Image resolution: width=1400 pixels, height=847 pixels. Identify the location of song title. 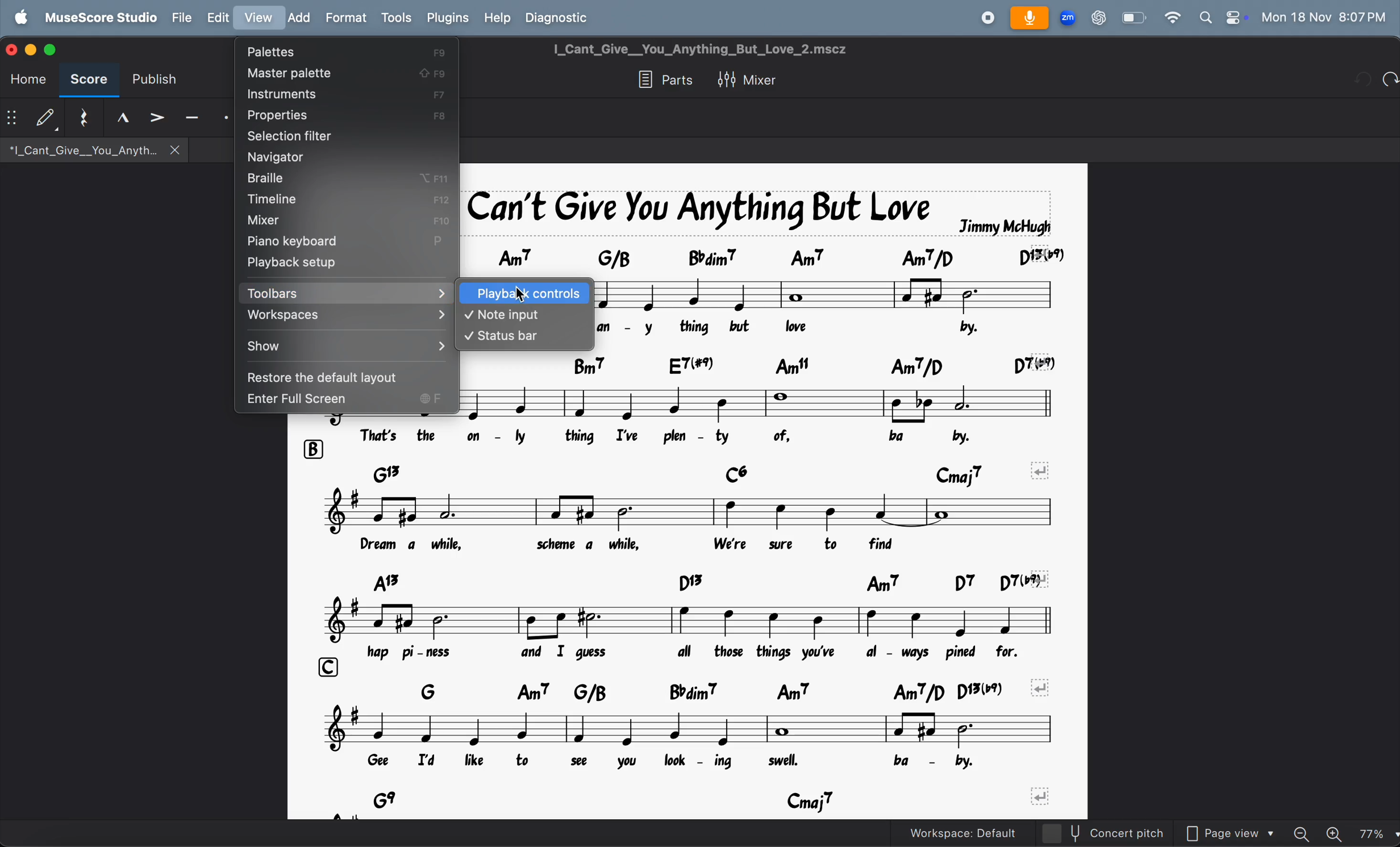
(761, 212).